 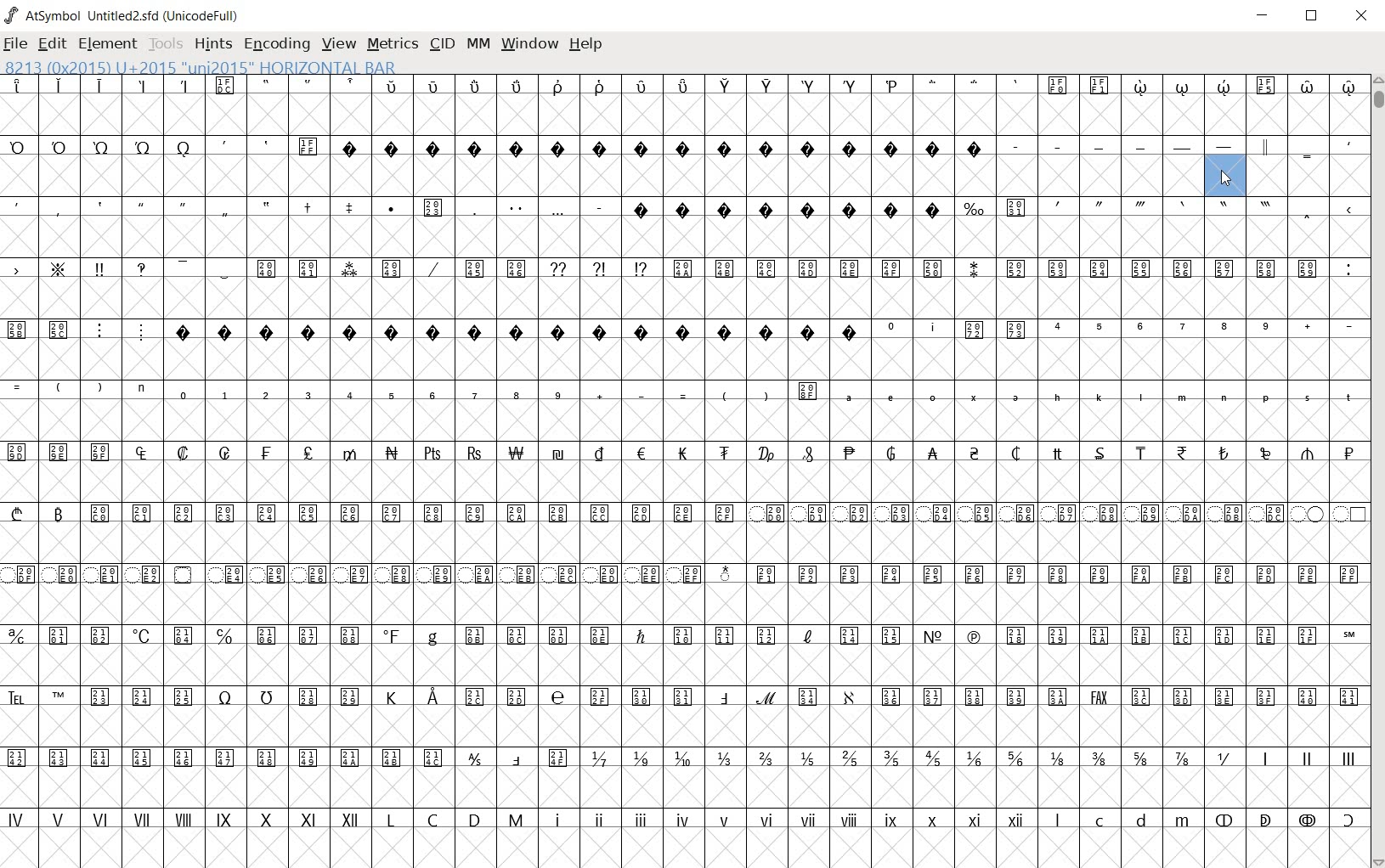 What do you see at coordinates (682, 468) in the screenshot?
I see `GLYPHS` at bounding box center [682, 468].